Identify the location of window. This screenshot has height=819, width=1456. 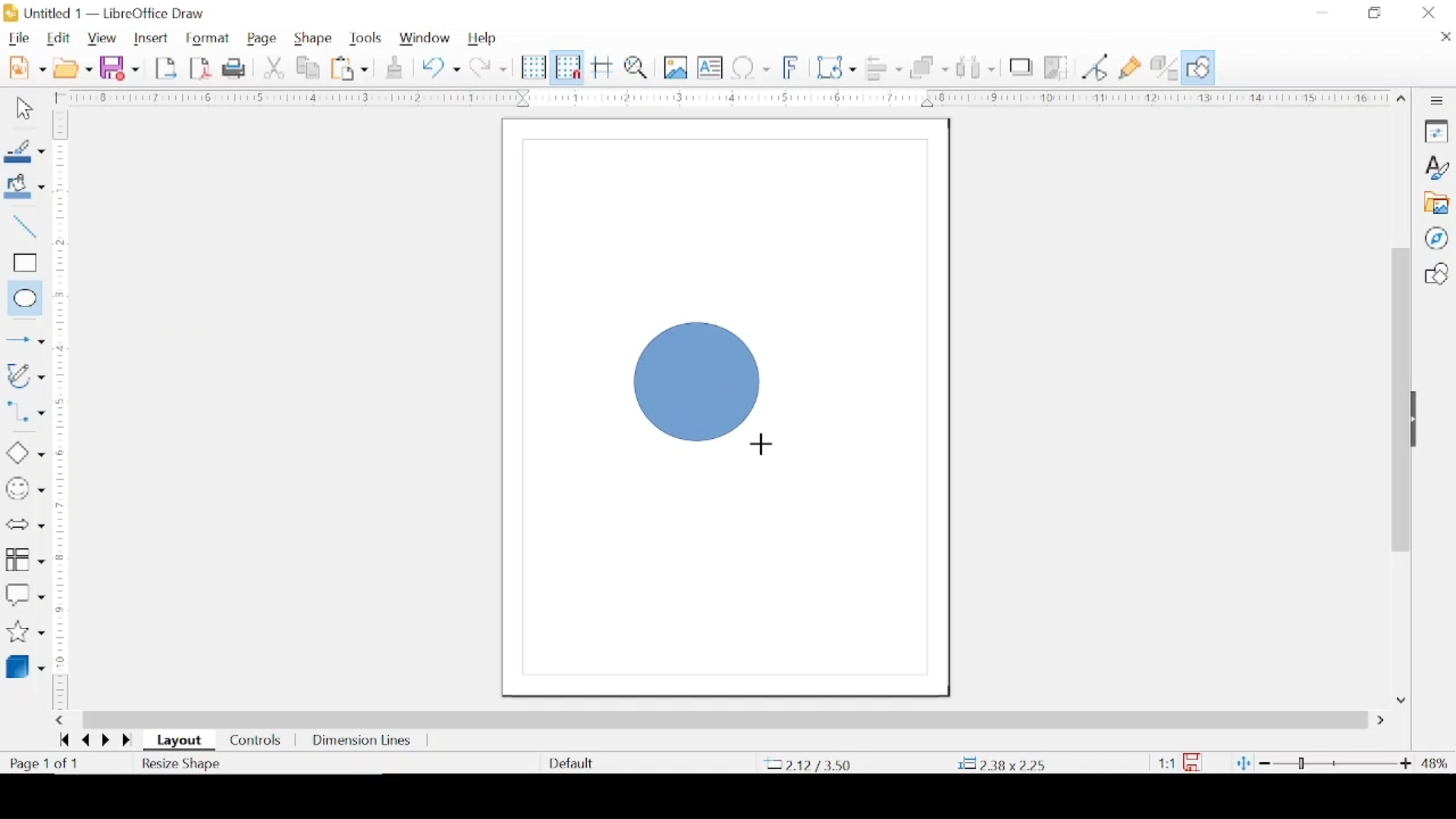
(425, 39).